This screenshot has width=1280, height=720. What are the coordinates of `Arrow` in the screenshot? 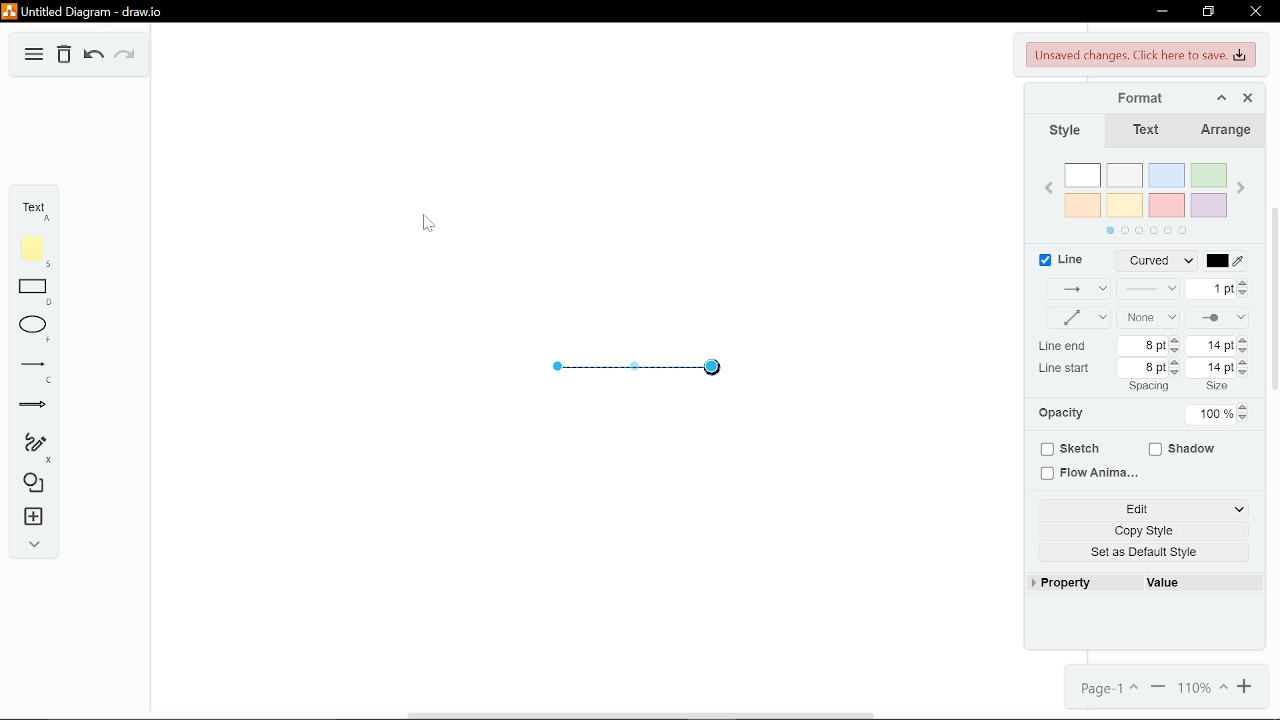 It's located at (37, 409).